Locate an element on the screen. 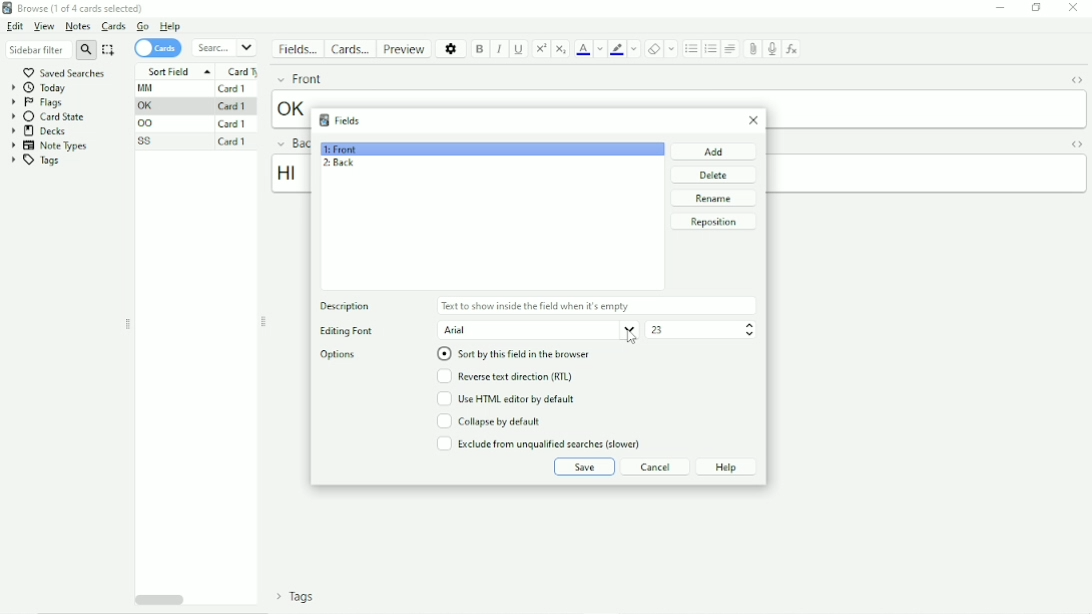  2: Back is located at coordinates (341, 163).